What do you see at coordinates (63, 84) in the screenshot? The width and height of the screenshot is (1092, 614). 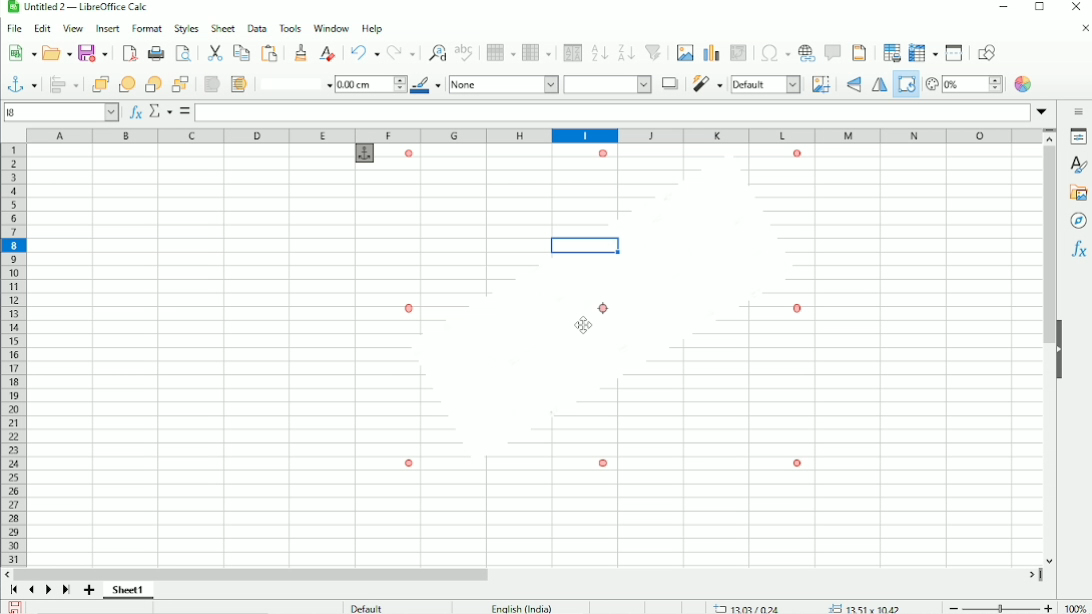 I see `Align objects` at bounding box center [63, 84].